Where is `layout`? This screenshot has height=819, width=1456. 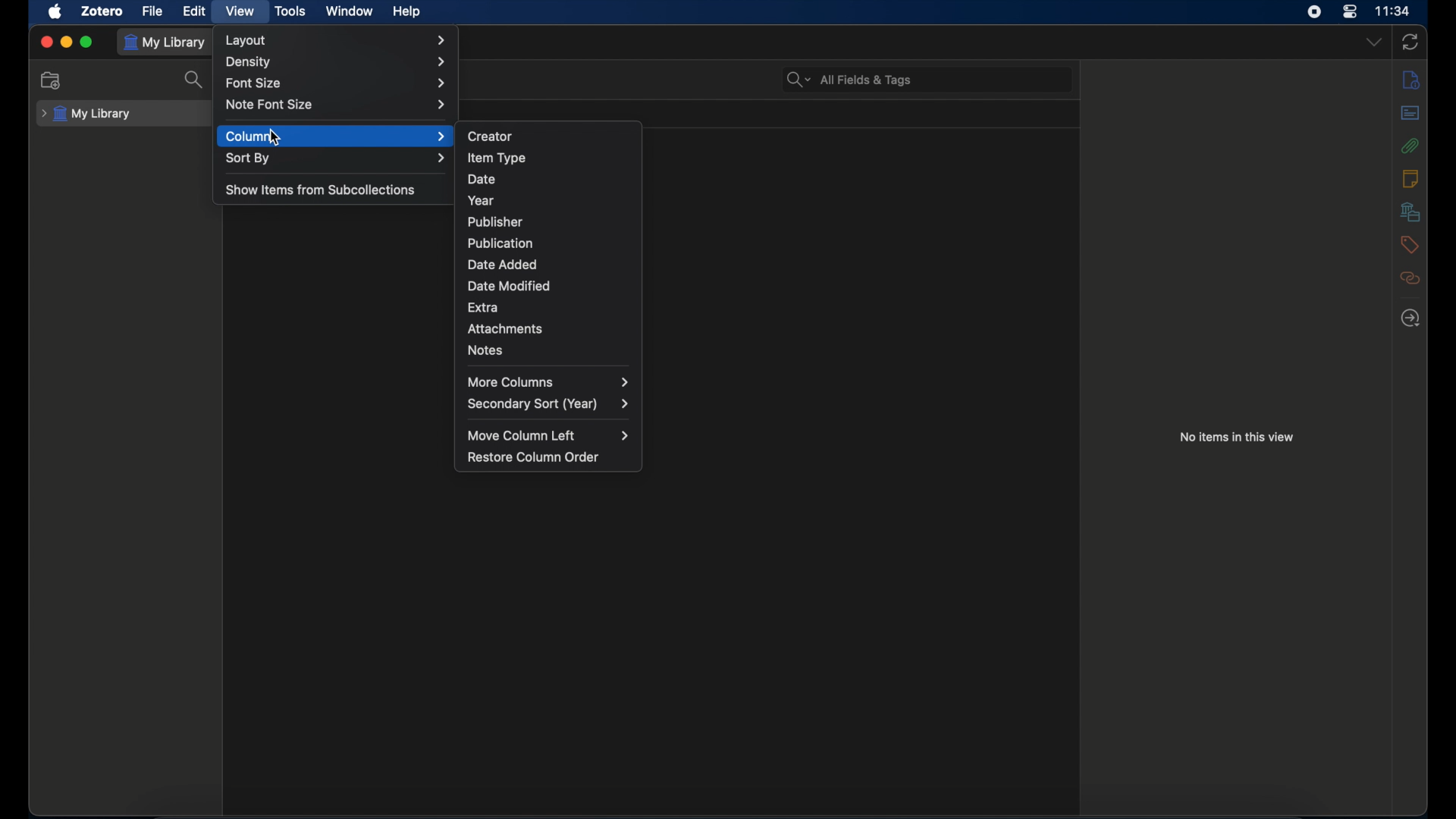 layout is located at coordinates (335, 40).